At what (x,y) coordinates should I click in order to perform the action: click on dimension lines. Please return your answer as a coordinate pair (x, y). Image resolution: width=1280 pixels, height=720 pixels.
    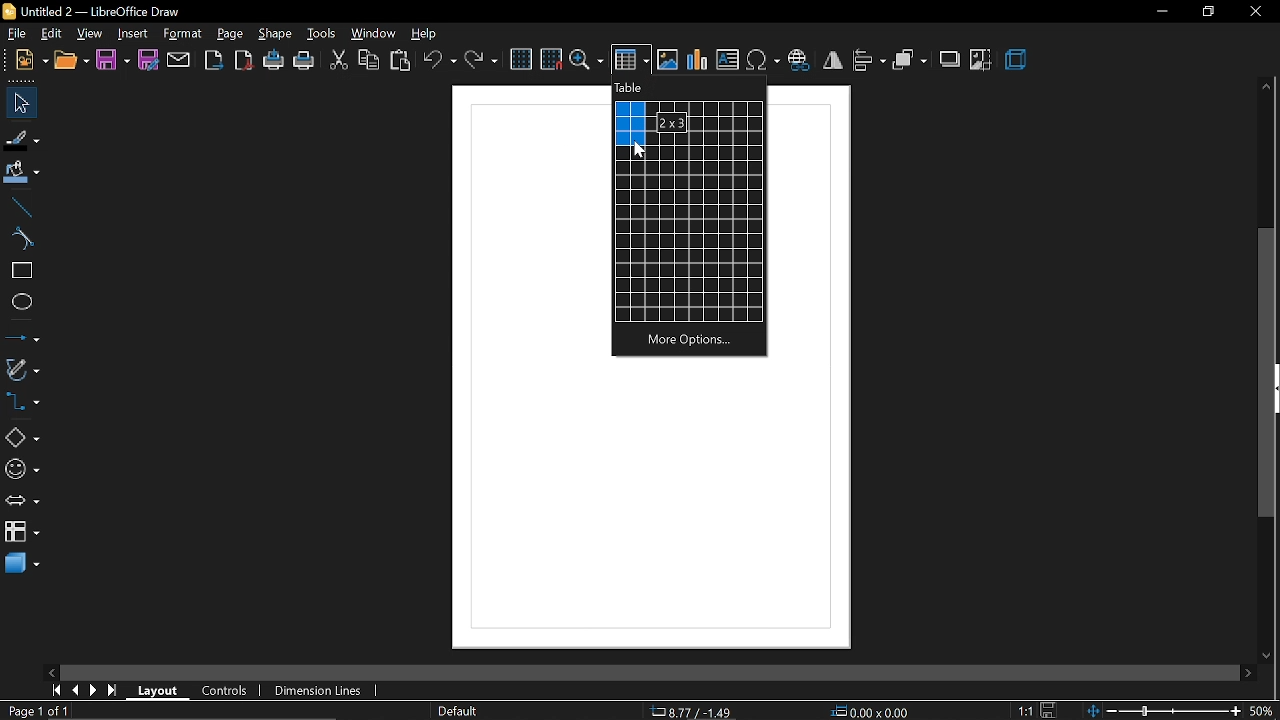
    Looking at the image, I should click on (321, 689).